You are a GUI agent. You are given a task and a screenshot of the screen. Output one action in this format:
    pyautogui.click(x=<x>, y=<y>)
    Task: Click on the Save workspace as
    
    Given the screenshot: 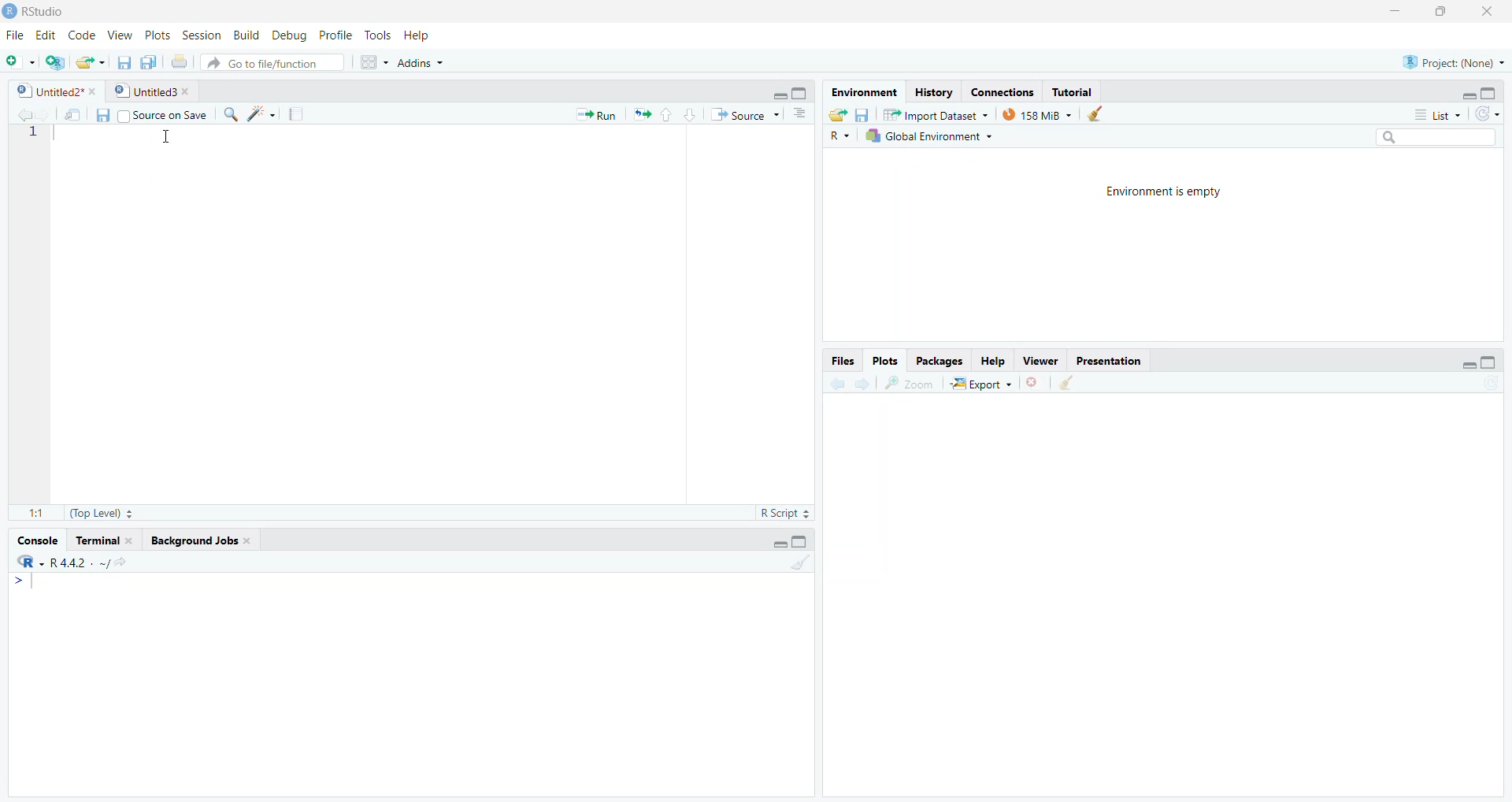 What is the action you would take?
    pyautogui.click(x=866, y=113)
    